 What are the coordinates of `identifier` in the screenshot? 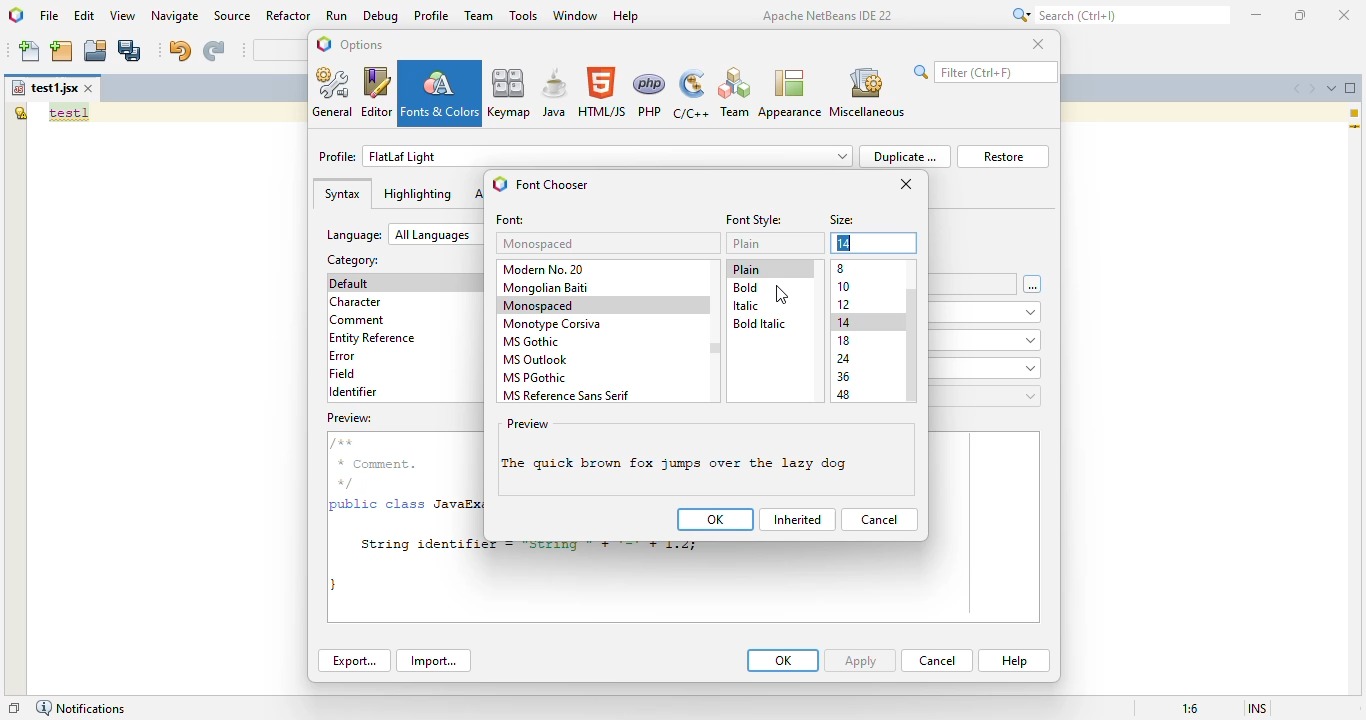 It's located at (353, 392).